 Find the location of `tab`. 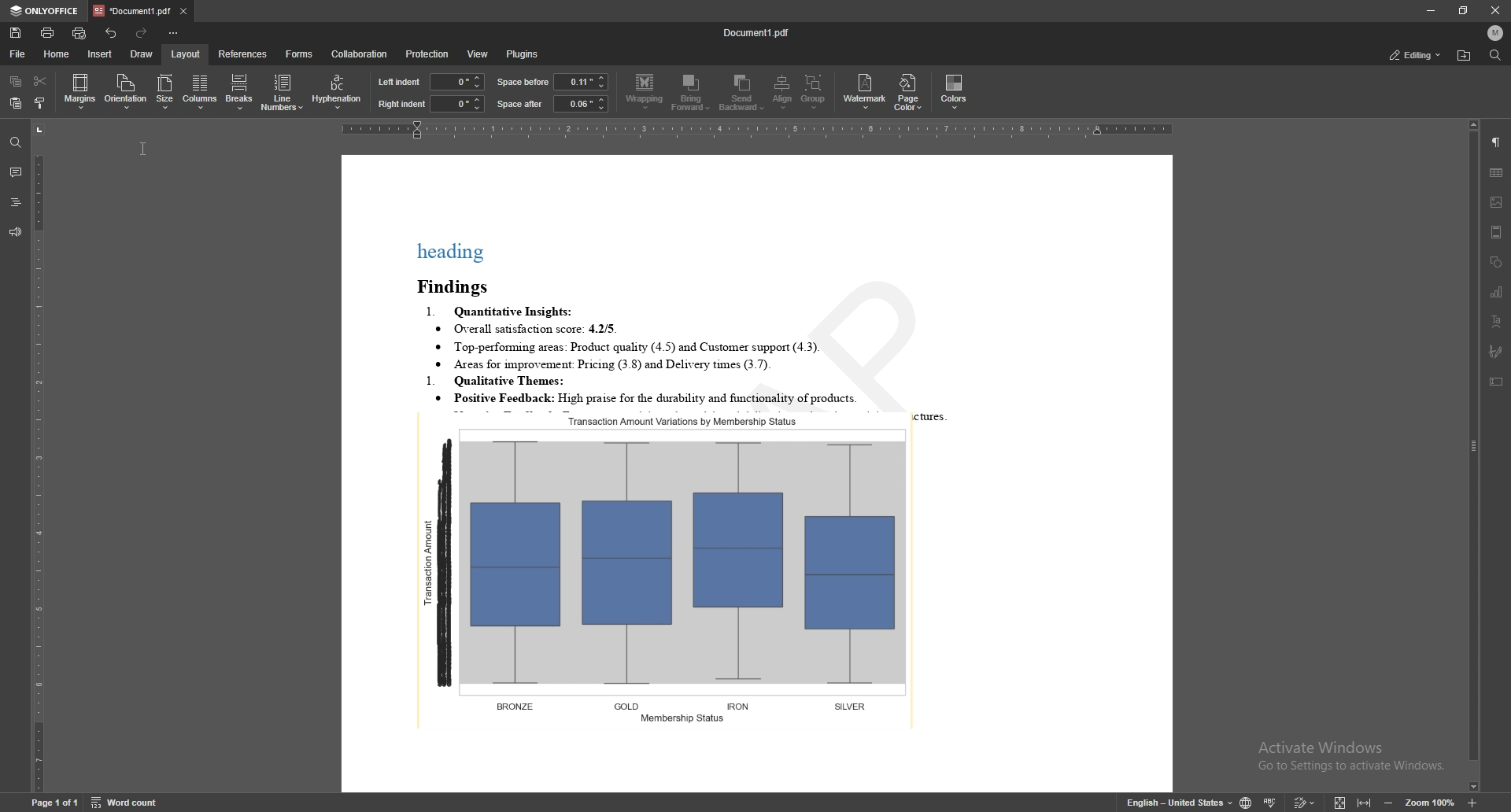

tab is located at coordinates (133, 9).